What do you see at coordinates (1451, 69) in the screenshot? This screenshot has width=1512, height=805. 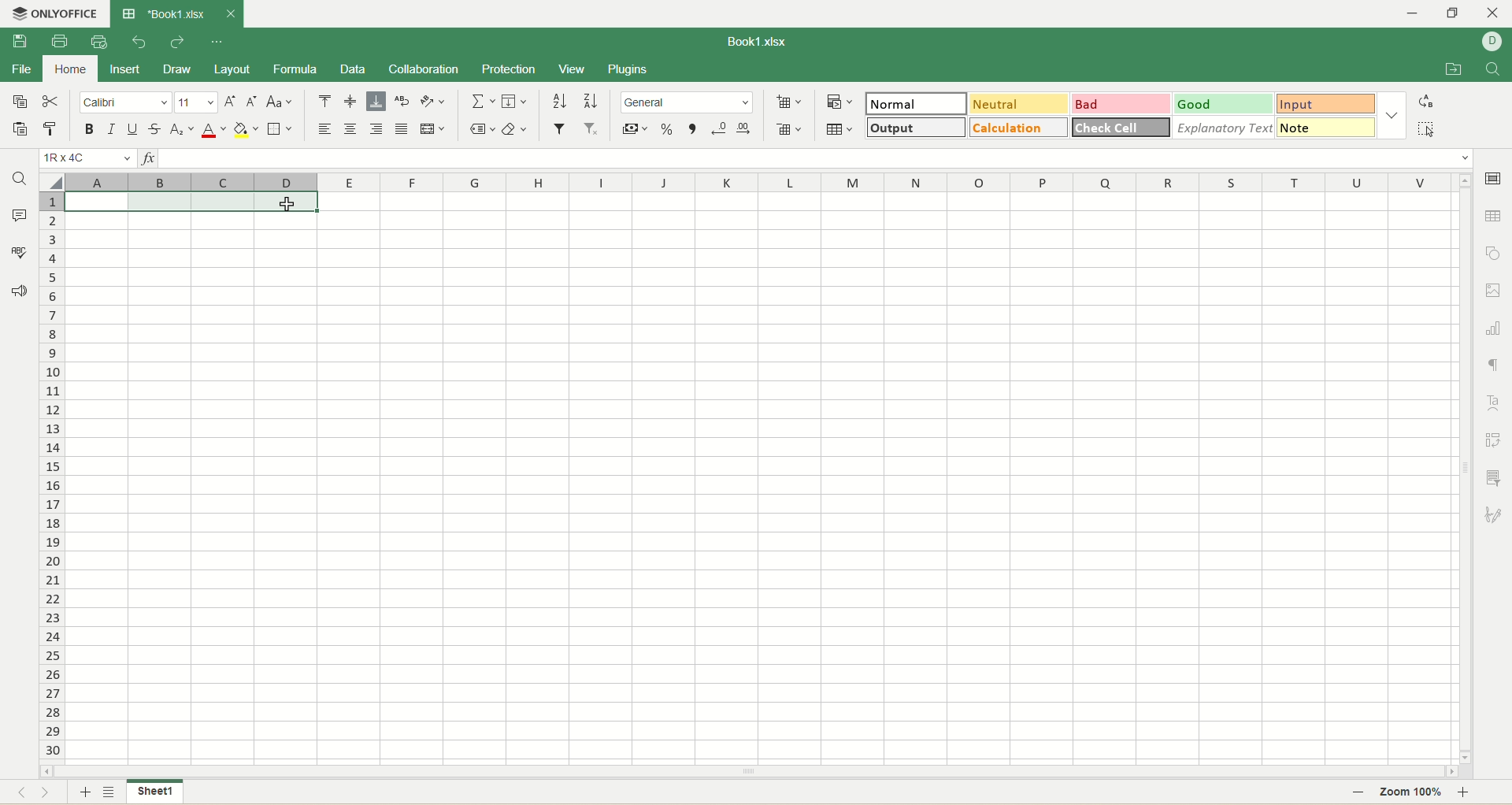 I see `open file location` at bounding box center [1451, 69].